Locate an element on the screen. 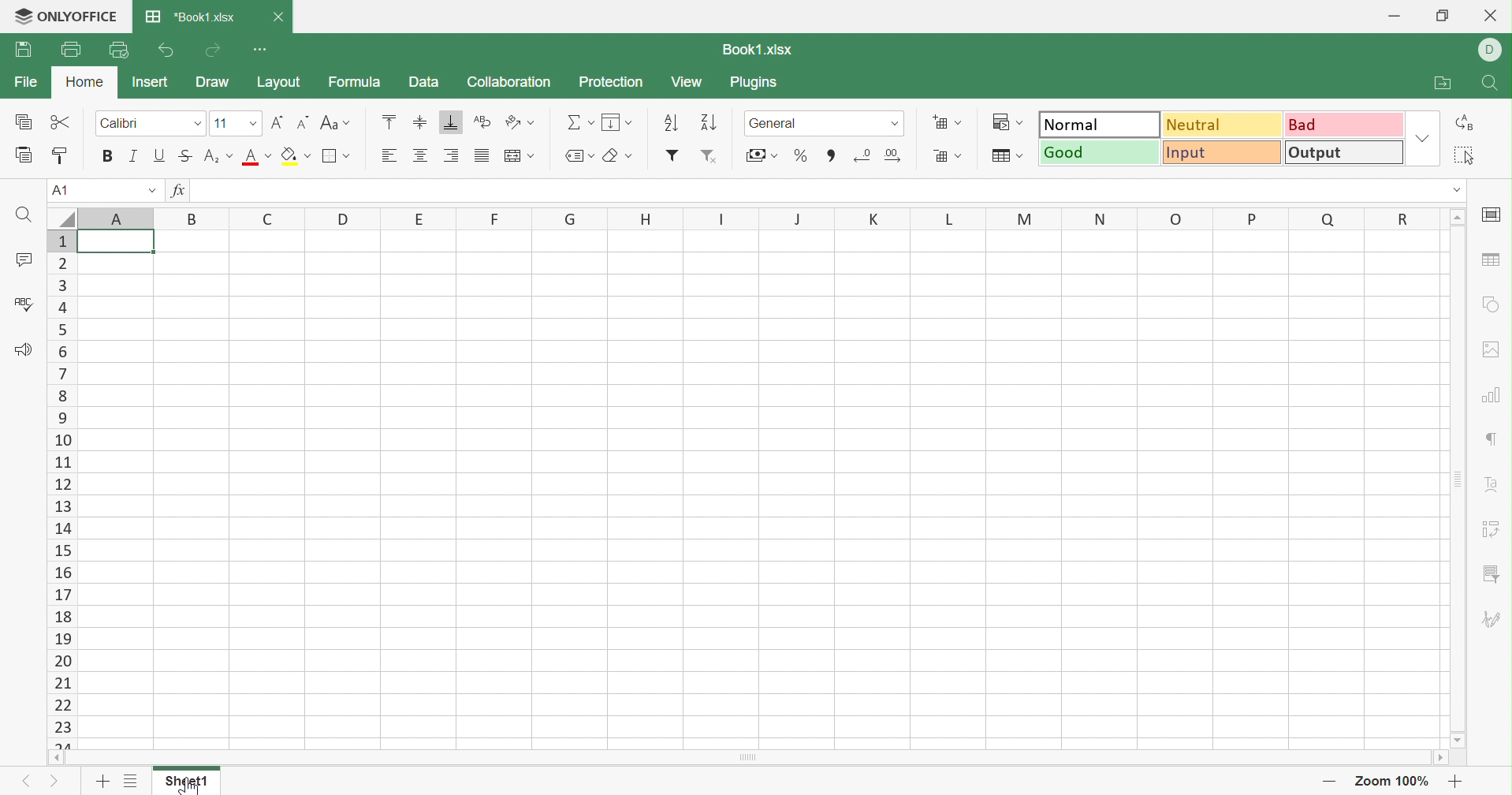 Image resolution: width=1512 pixels, height=795 pixels. Input is located at coordinates (1224, 153).